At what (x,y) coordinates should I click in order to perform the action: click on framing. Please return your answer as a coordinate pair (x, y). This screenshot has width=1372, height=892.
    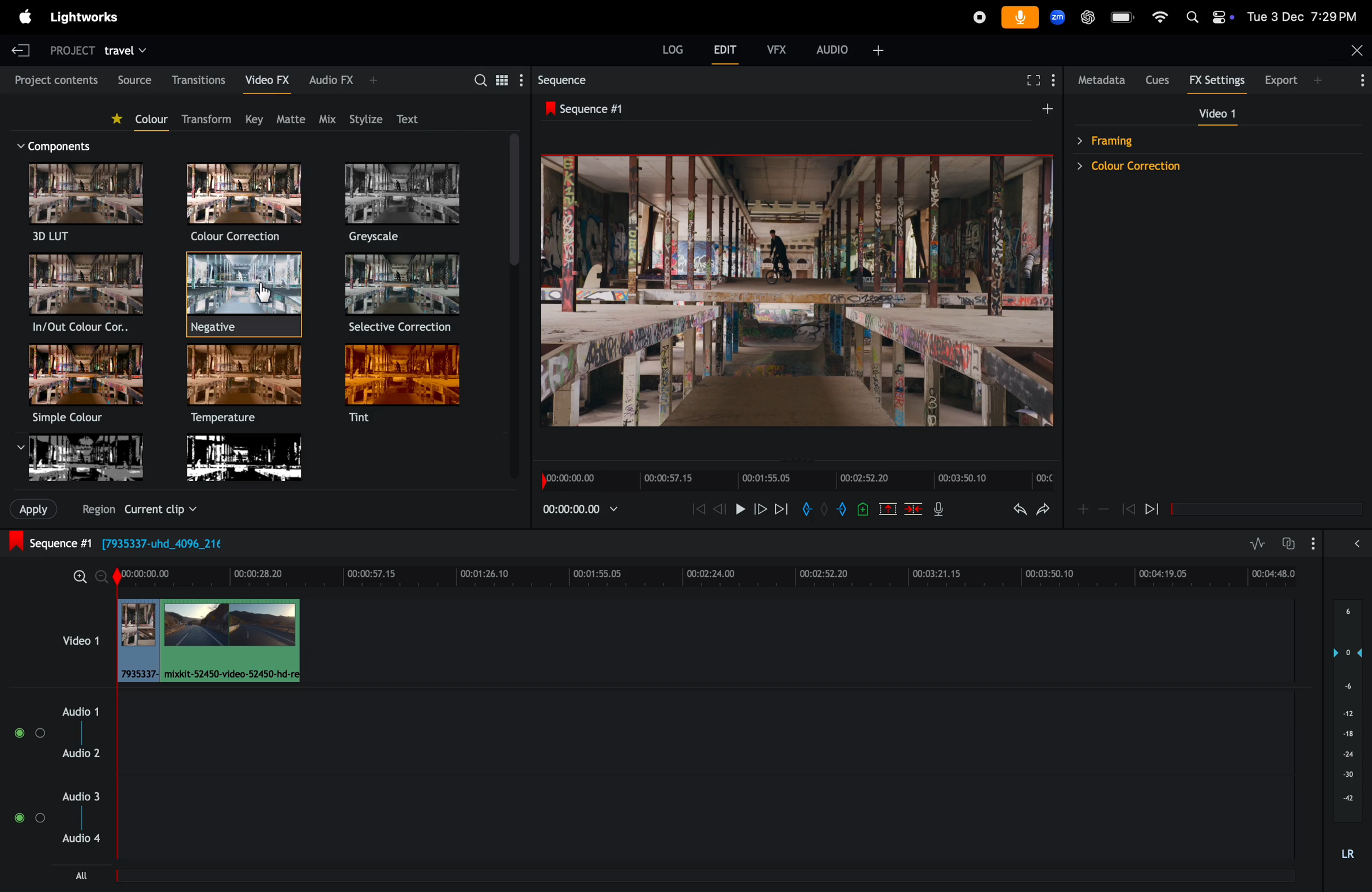
    Looking at the image, I should click on (1178, 140).